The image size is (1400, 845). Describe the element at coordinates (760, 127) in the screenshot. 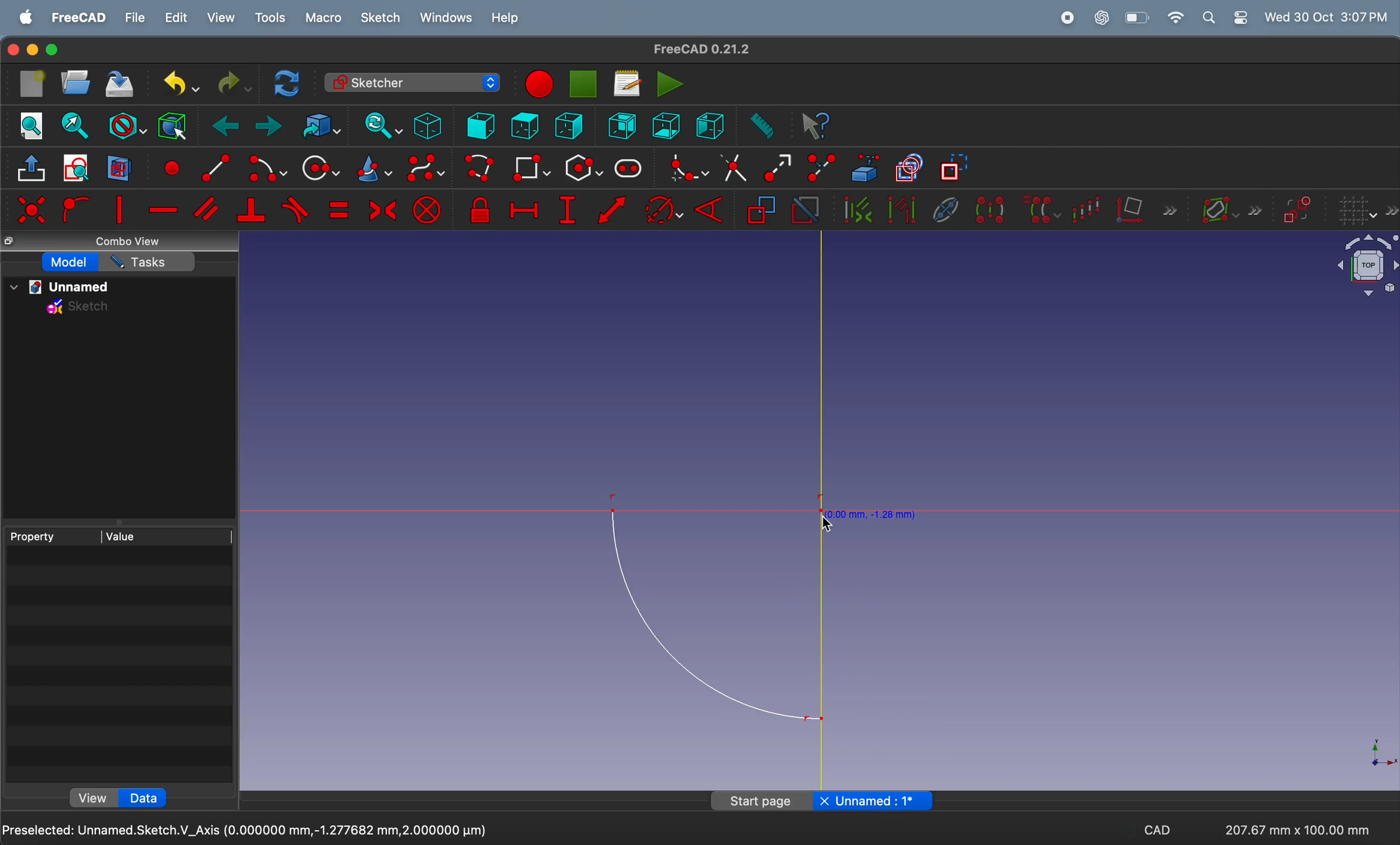

I see `measure distance` at that location.